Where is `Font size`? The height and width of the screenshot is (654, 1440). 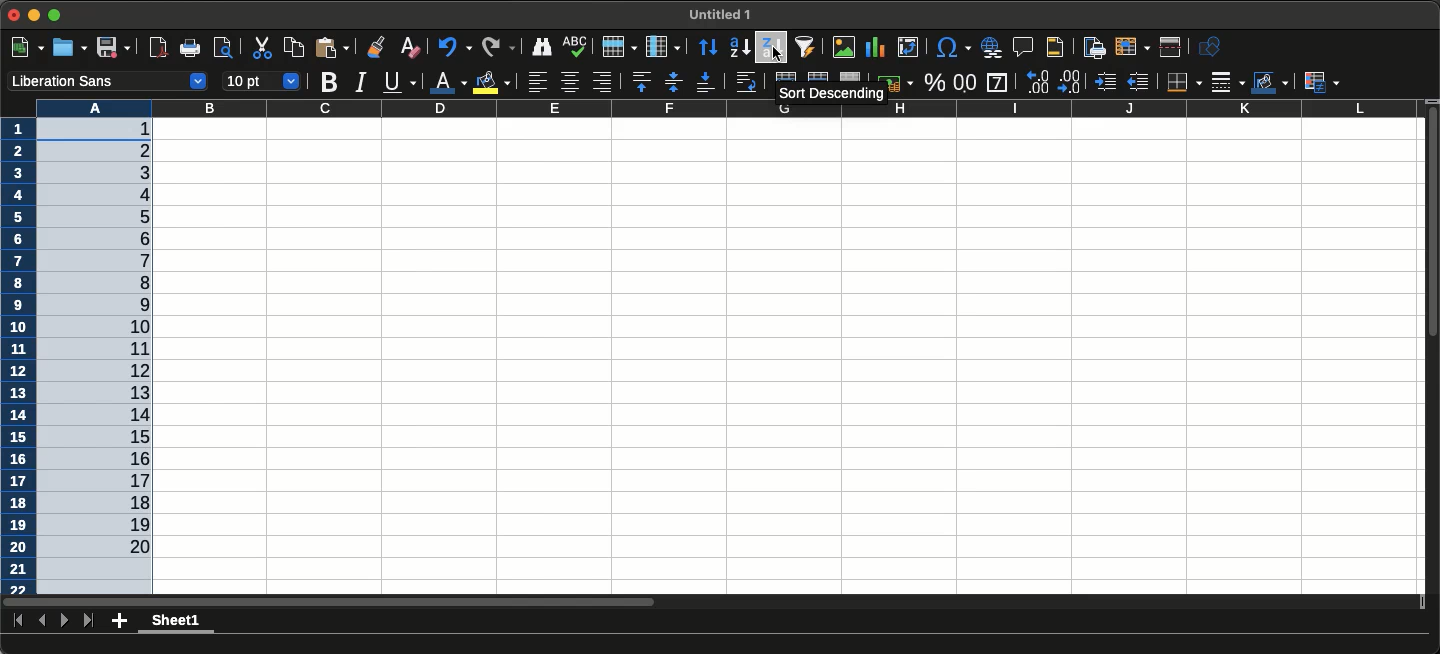 Font size is located at coordinates (261, 82).